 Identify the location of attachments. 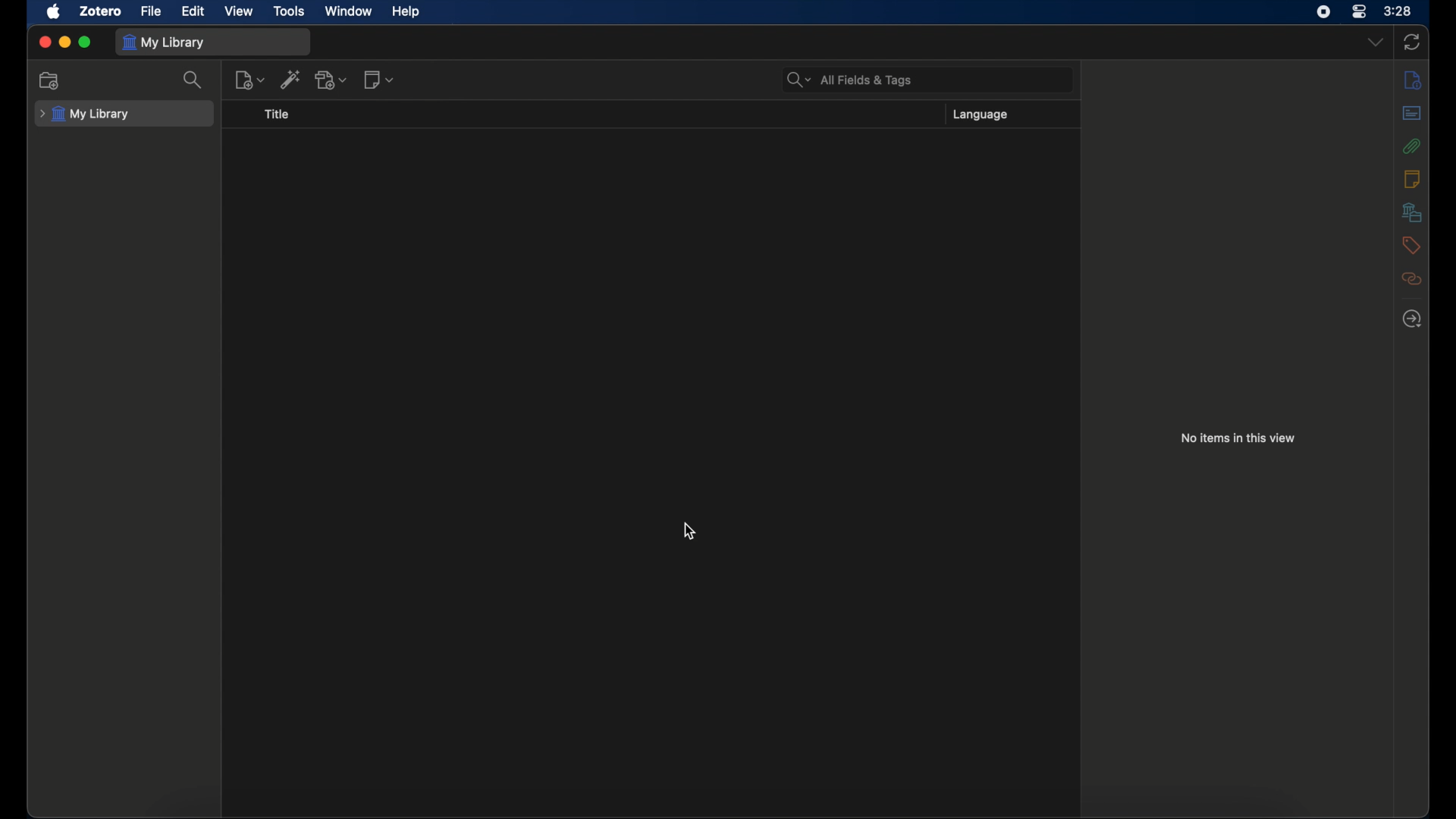
(1410, 146).